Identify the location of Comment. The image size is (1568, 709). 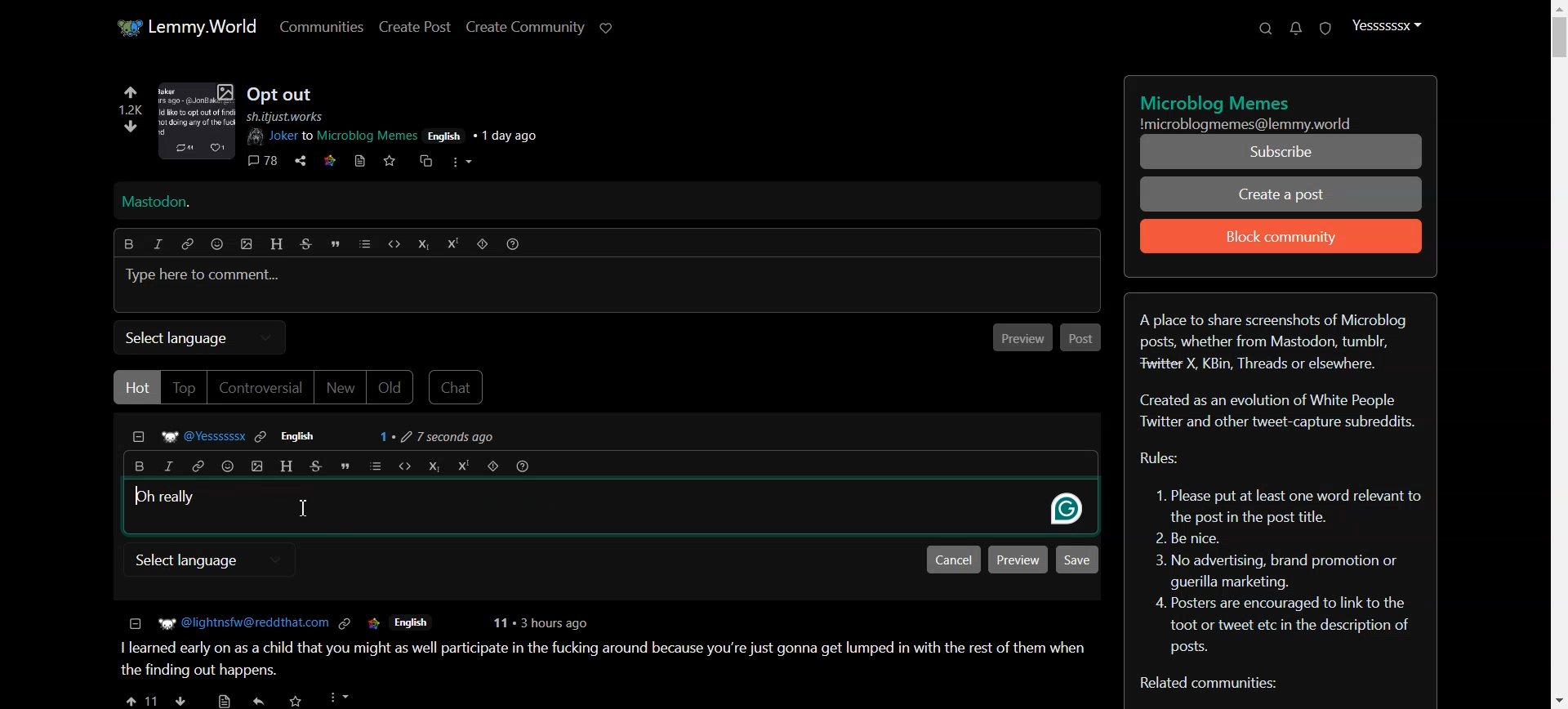
(327, 436).